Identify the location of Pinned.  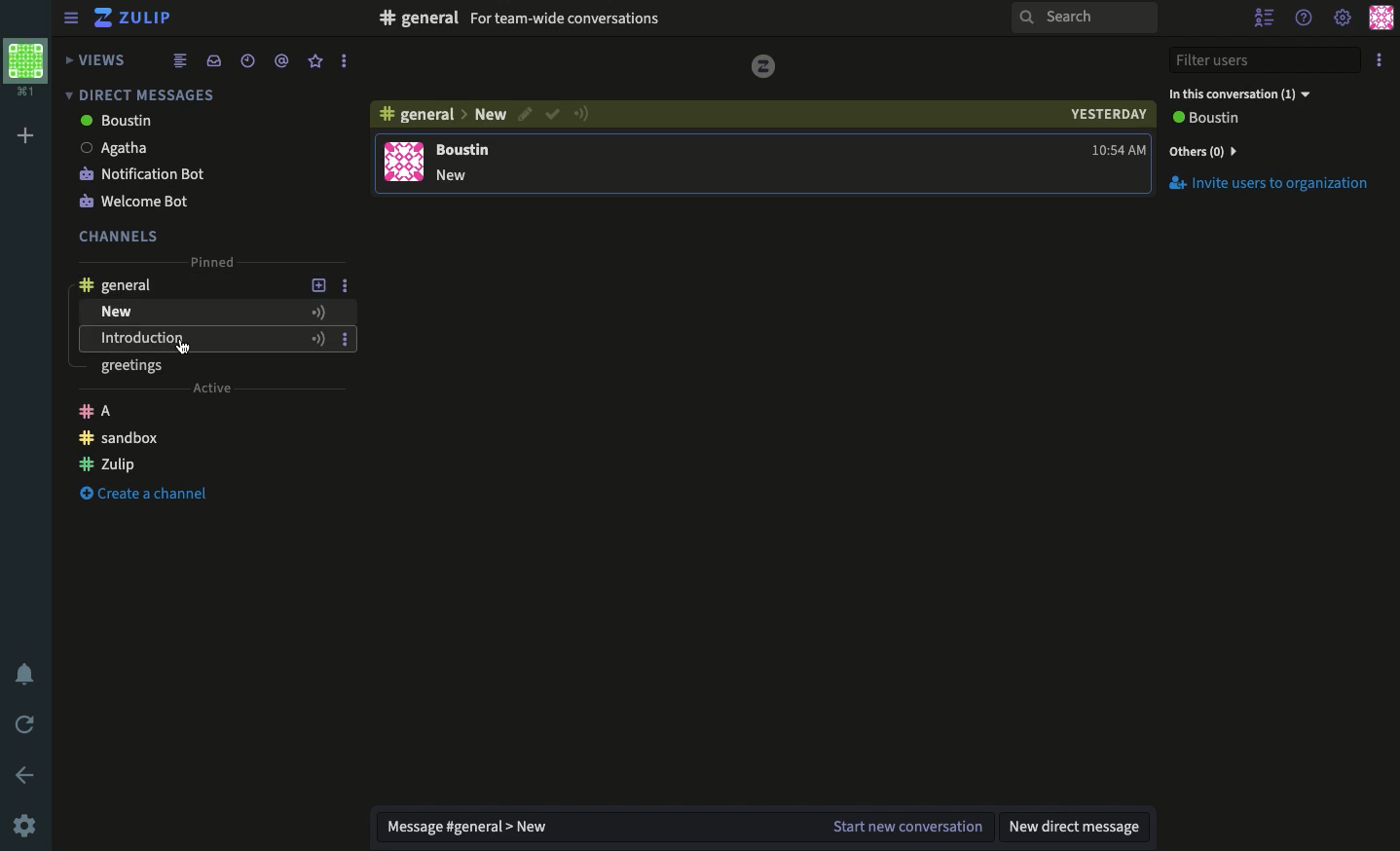
(210, 261).